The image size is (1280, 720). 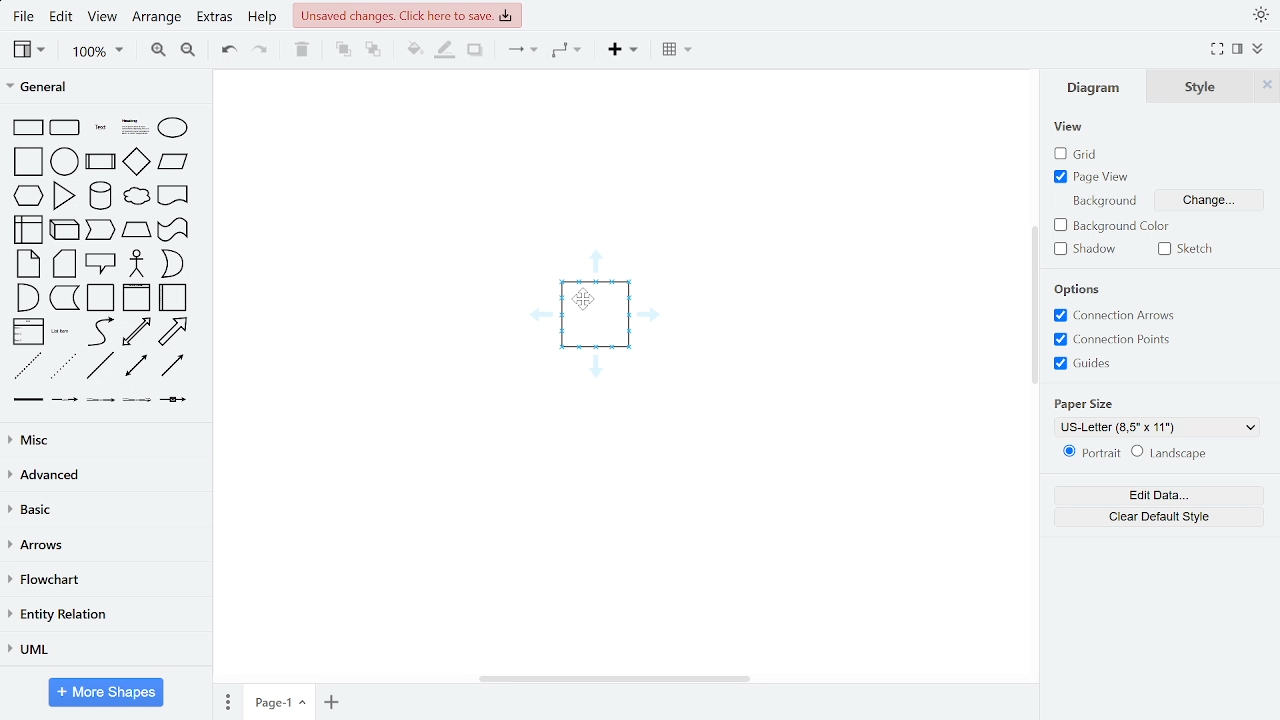 I want to click on file, so click(x=22, y=17).